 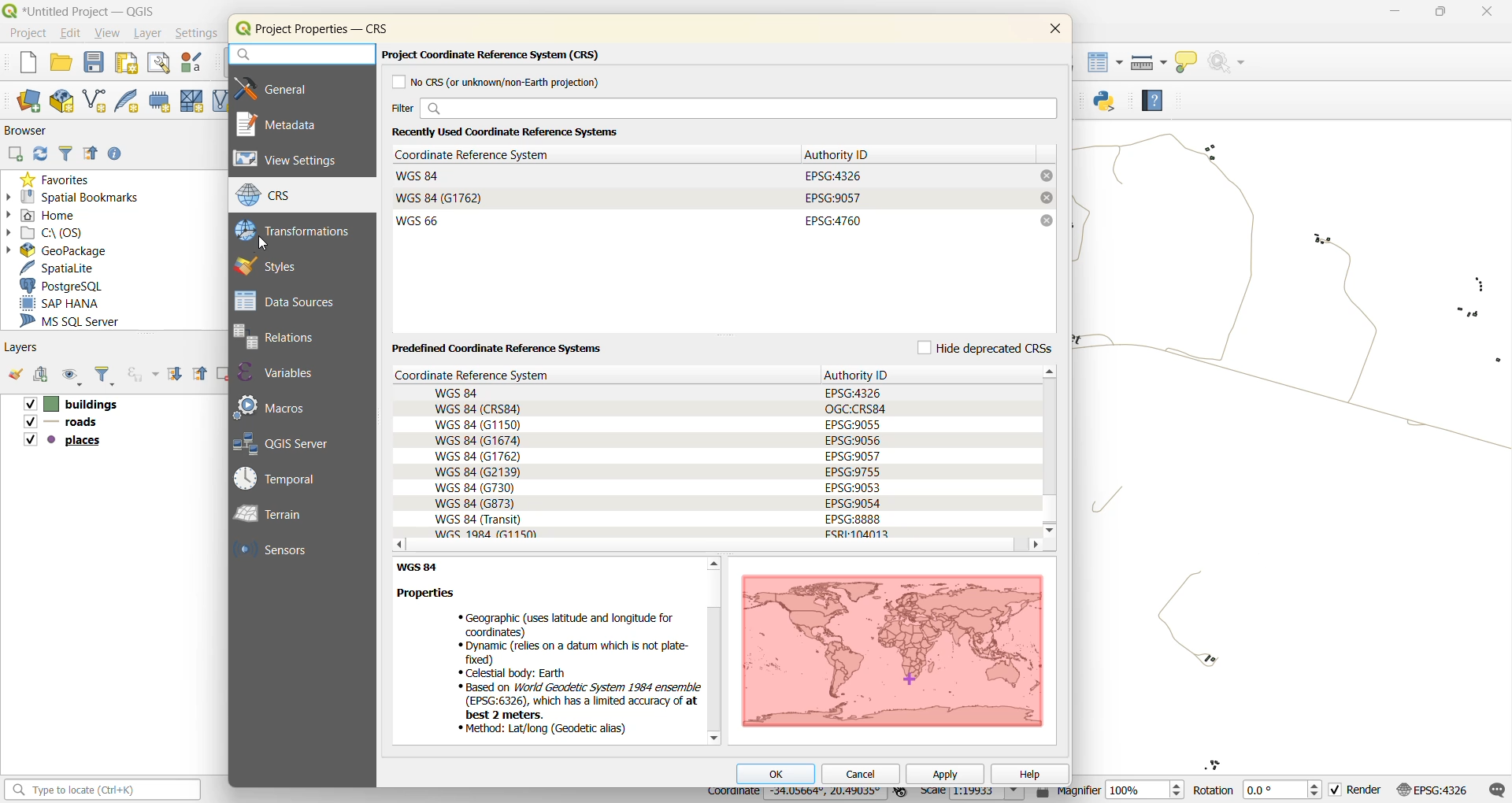 What do you see at coordinates (857, 408) in the screenshot?
I see `OGC:CRS84` at bounding box center [857, 408].